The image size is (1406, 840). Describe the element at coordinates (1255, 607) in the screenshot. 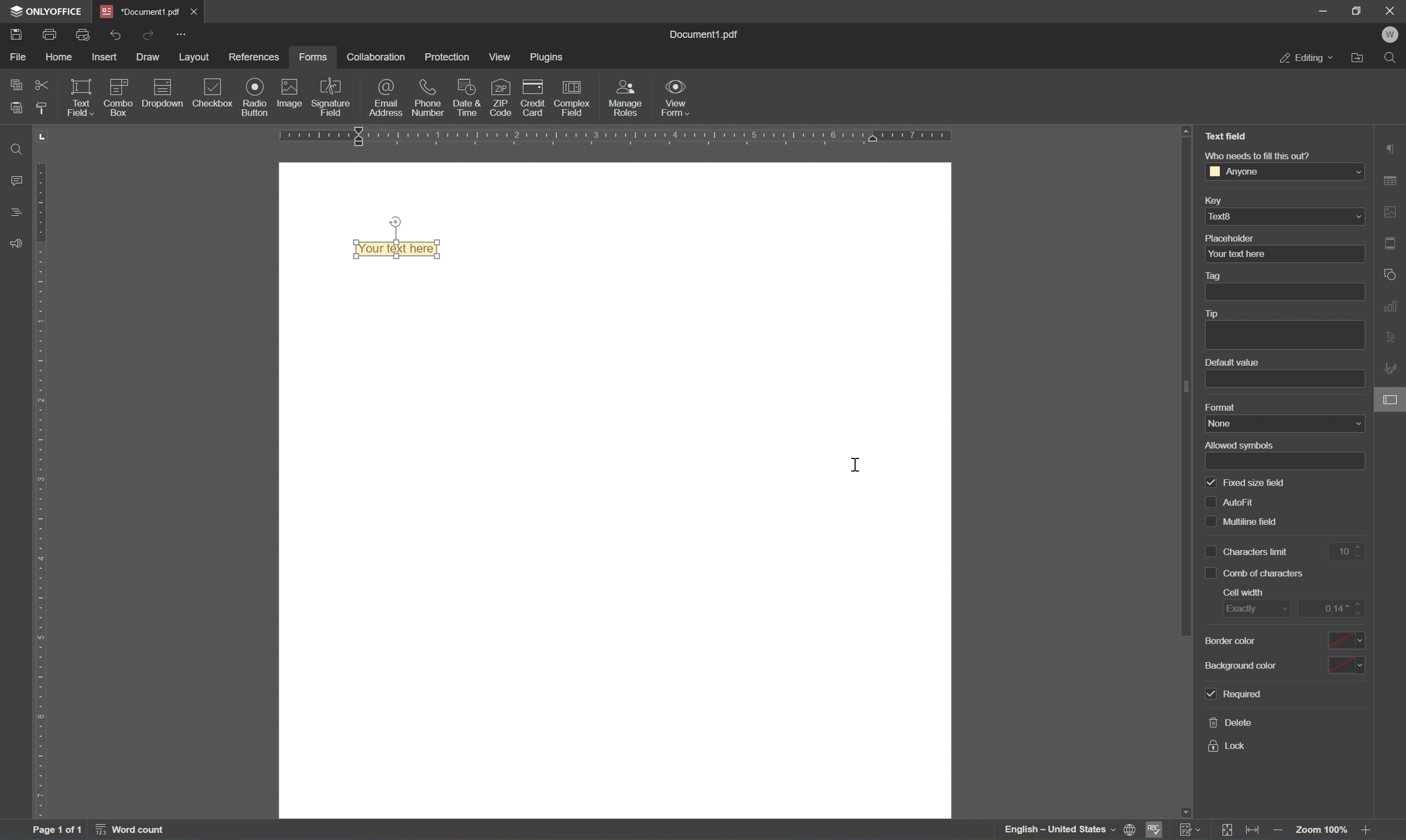

I see `exactly` at that location.